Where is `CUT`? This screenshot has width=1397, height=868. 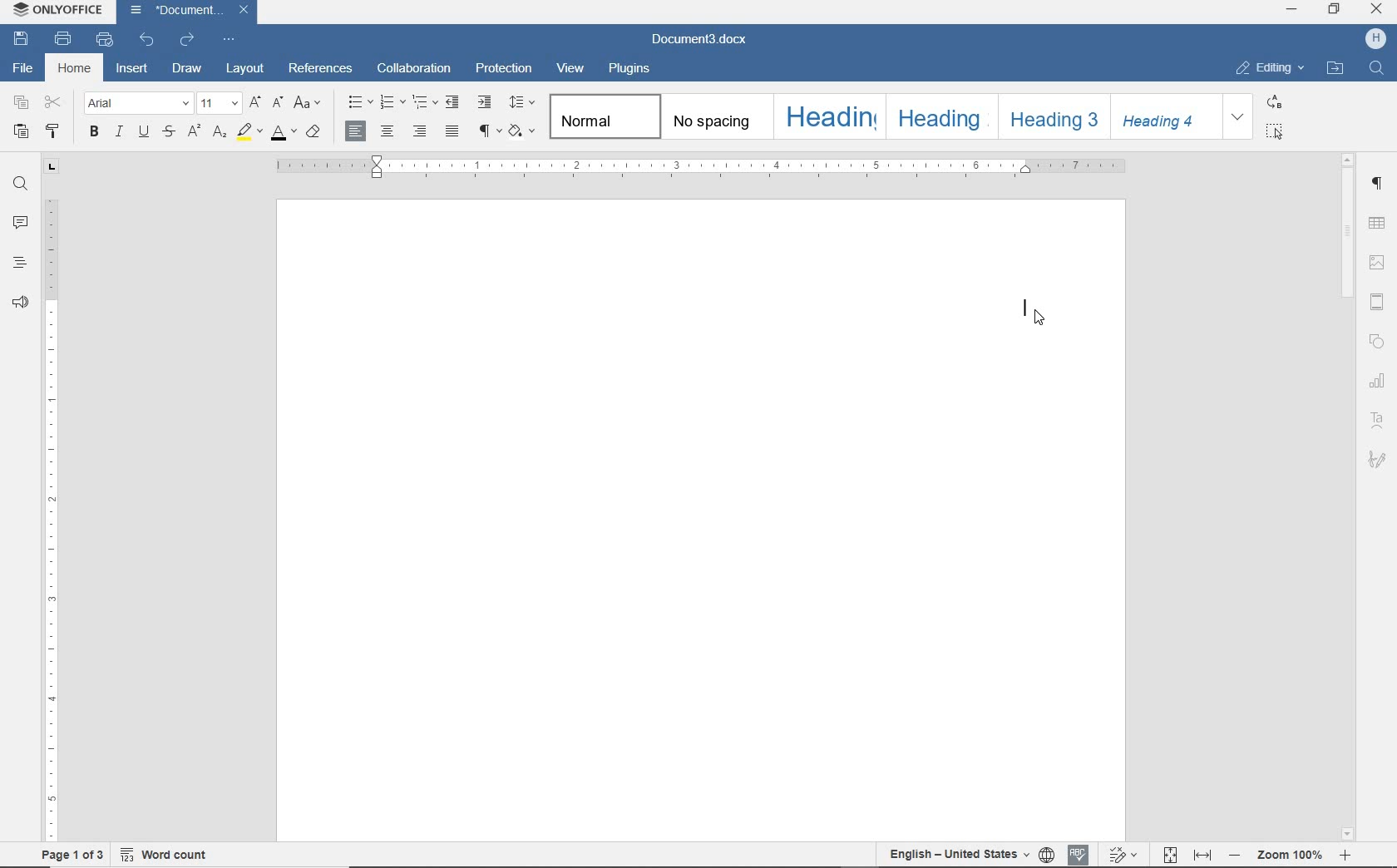 CUT is located at coordinates (53, 103).